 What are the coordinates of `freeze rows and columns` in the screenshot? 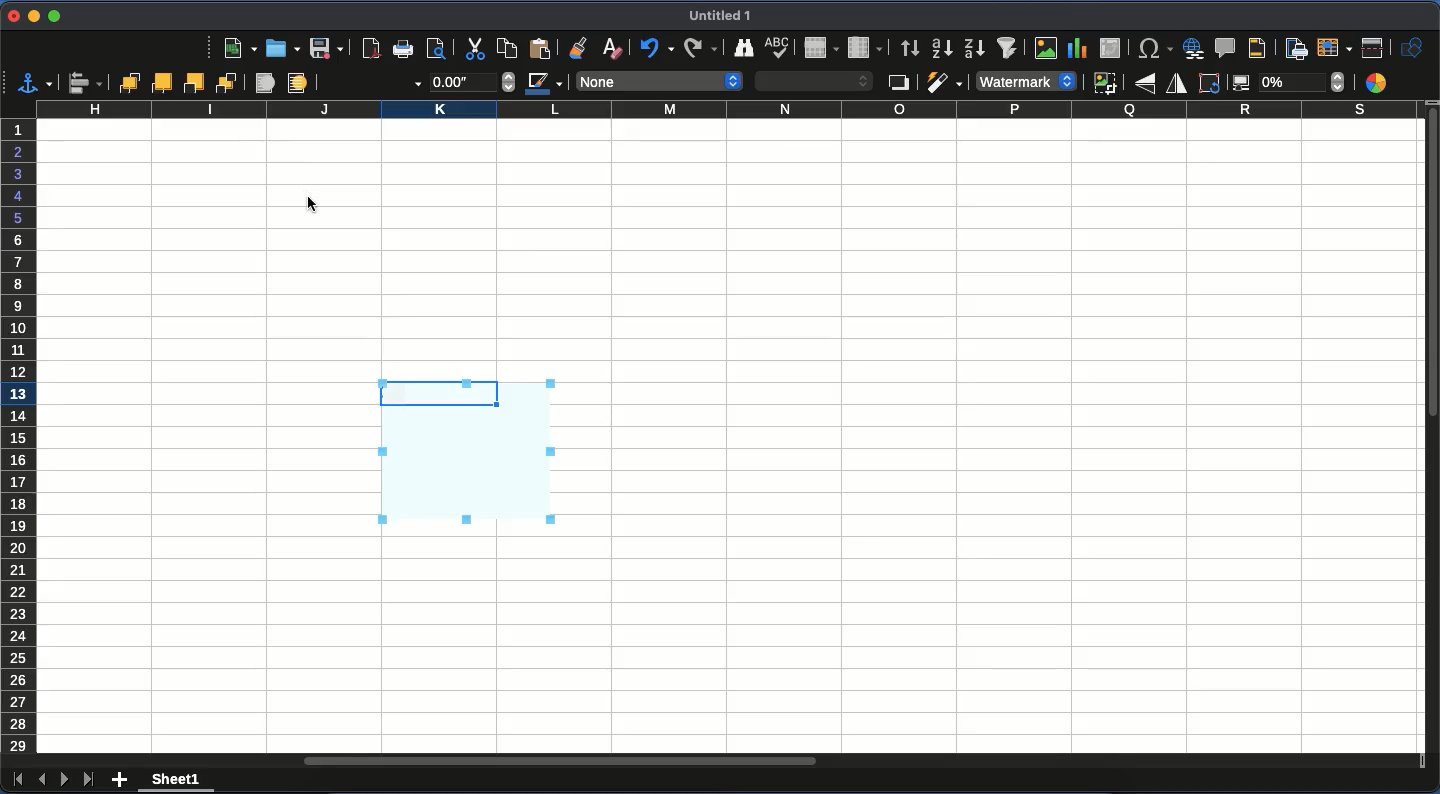 It's located at (1334, 47).